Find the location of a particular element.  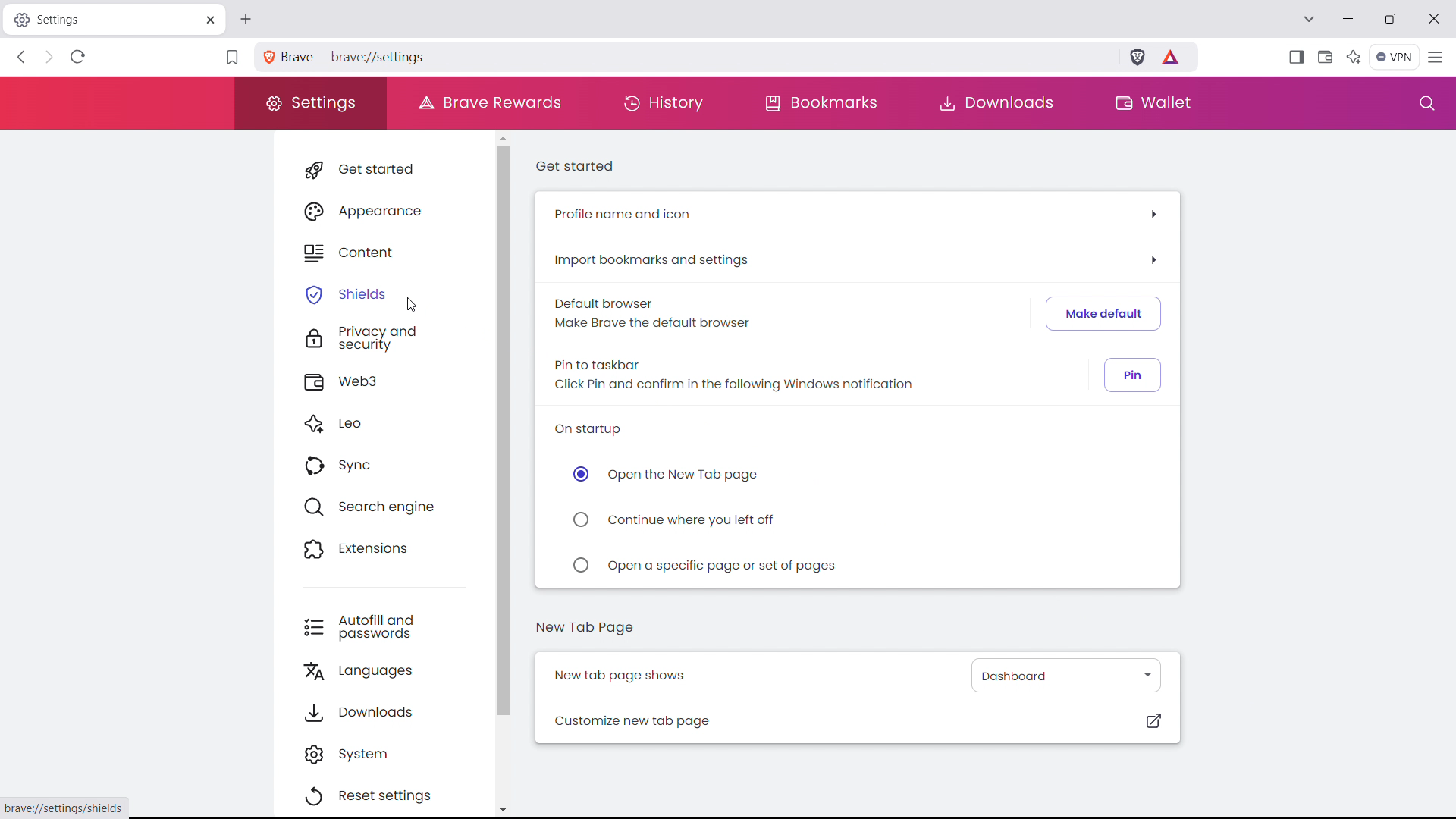

history is located at coordinates (663, 102).